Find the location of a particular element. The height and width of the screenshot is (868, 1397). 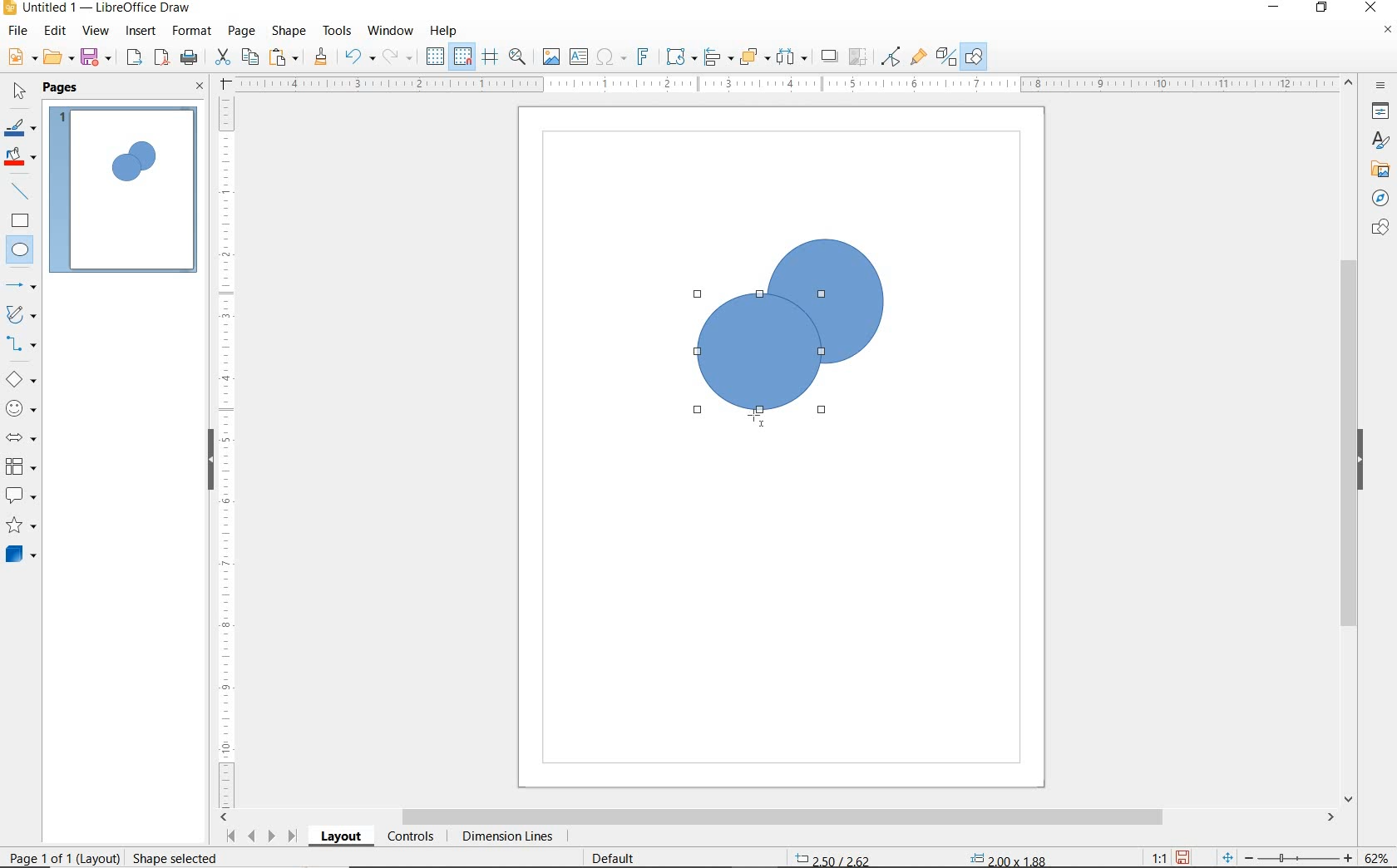

RESTORE DOWN is located at coordinates (1322, 8).